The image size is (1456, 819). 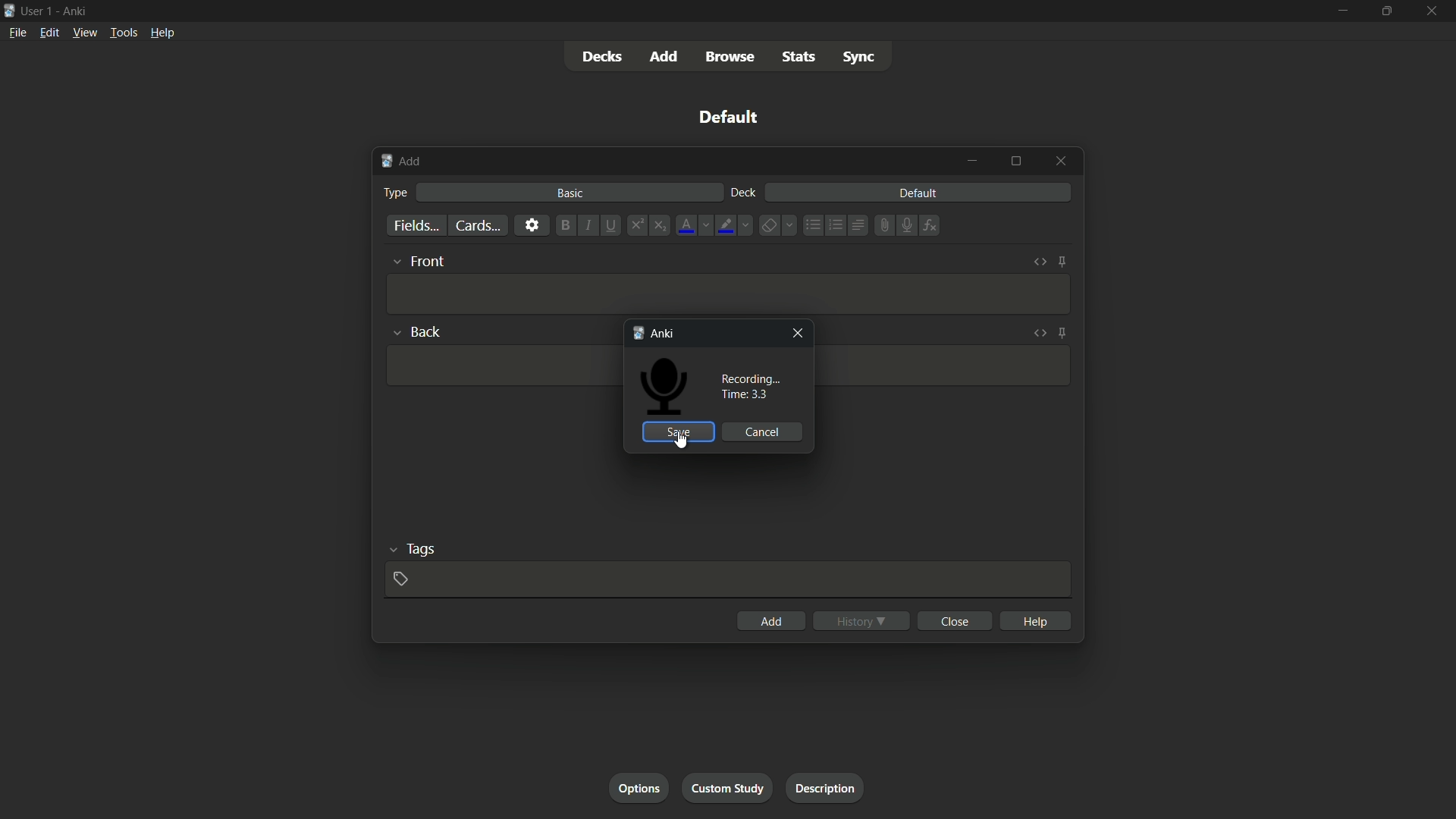 I want to click on add, so click(x=770, y=621).